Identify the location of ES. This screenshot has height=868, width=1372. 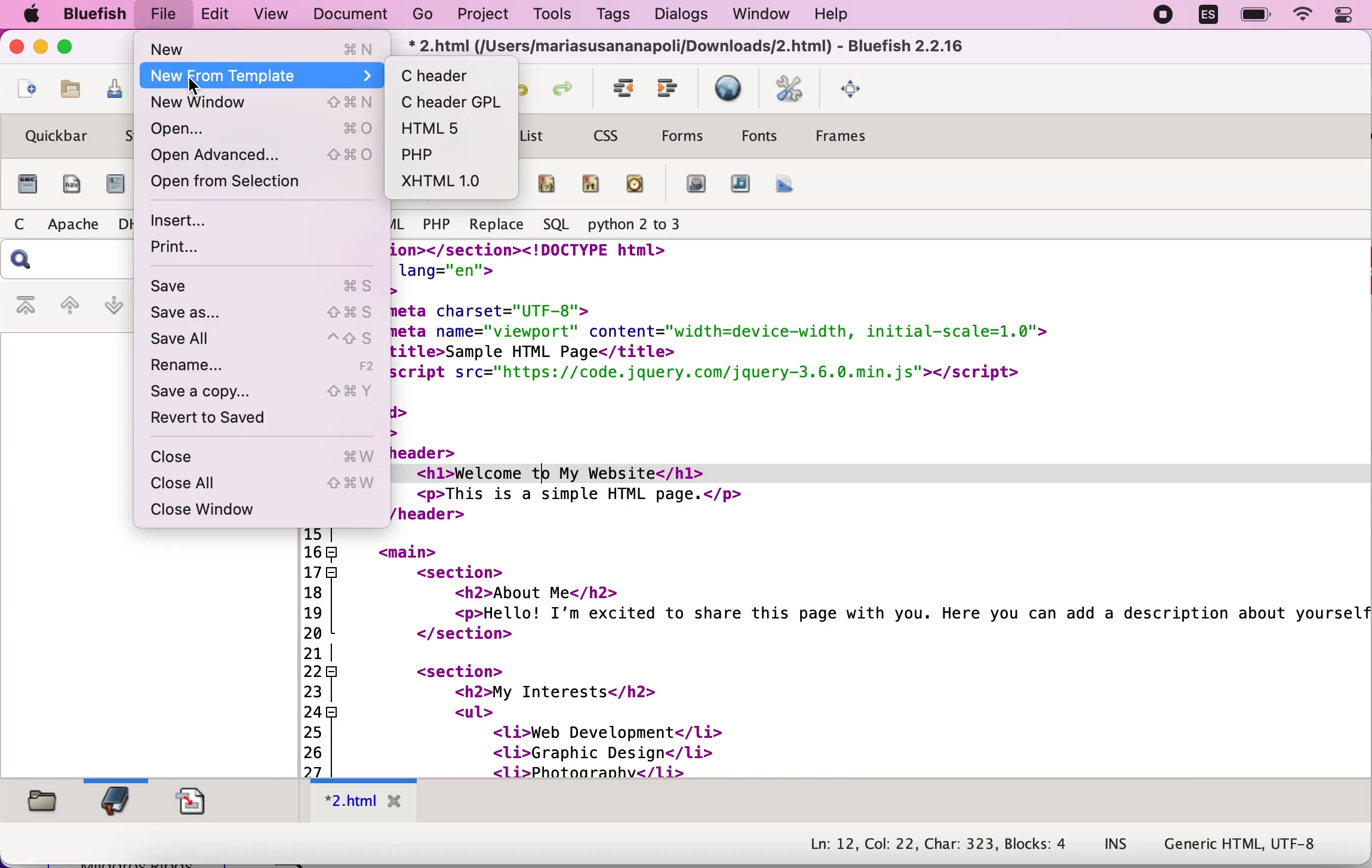
(1205, 17).